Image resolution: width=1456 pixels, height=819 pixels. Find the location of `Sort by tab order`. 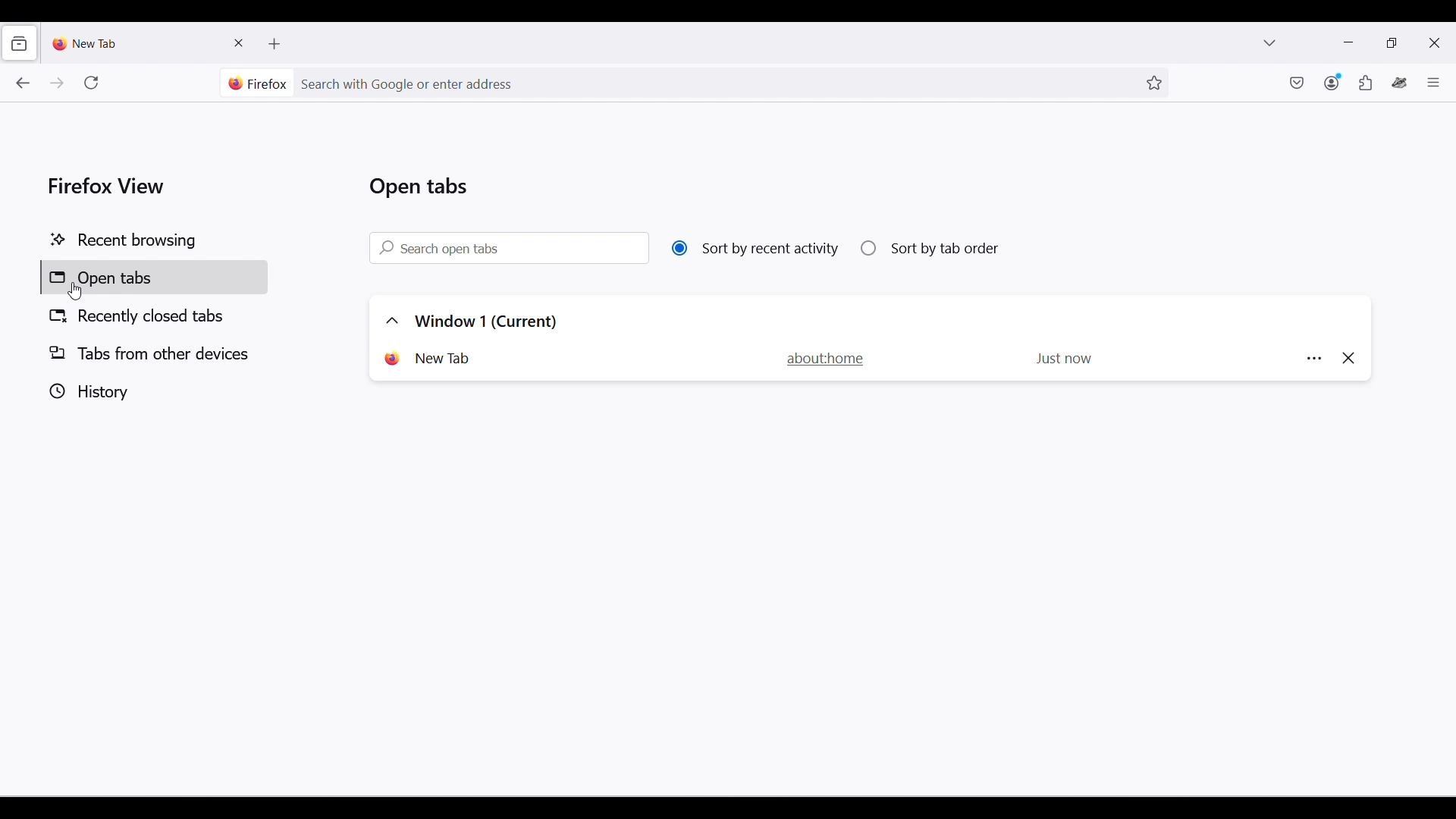

Sort by tab order is located at coordinates (930, 248).